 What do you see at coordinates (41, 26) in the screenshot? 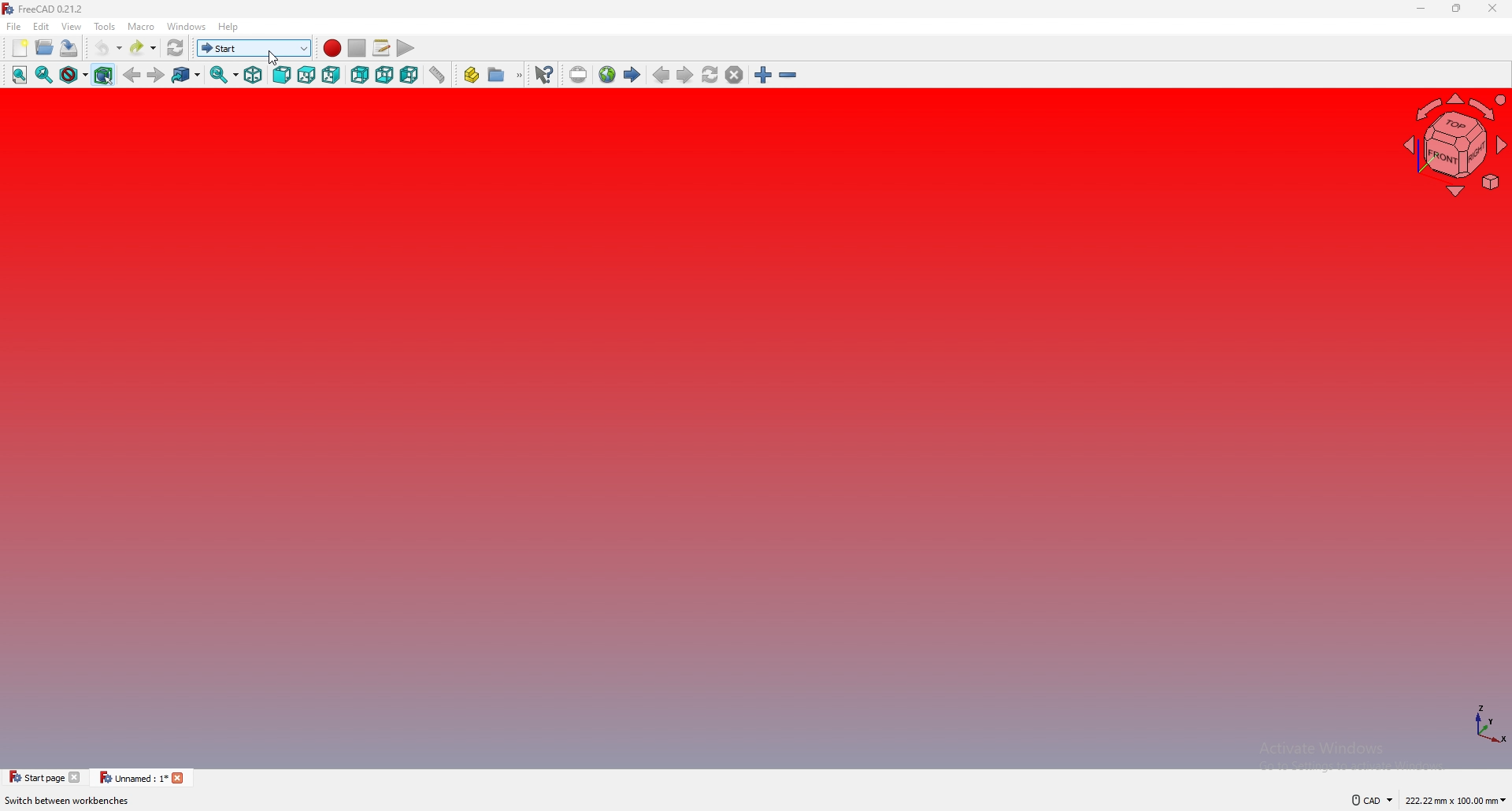
I see `edit` at bounding box center [41, 26].